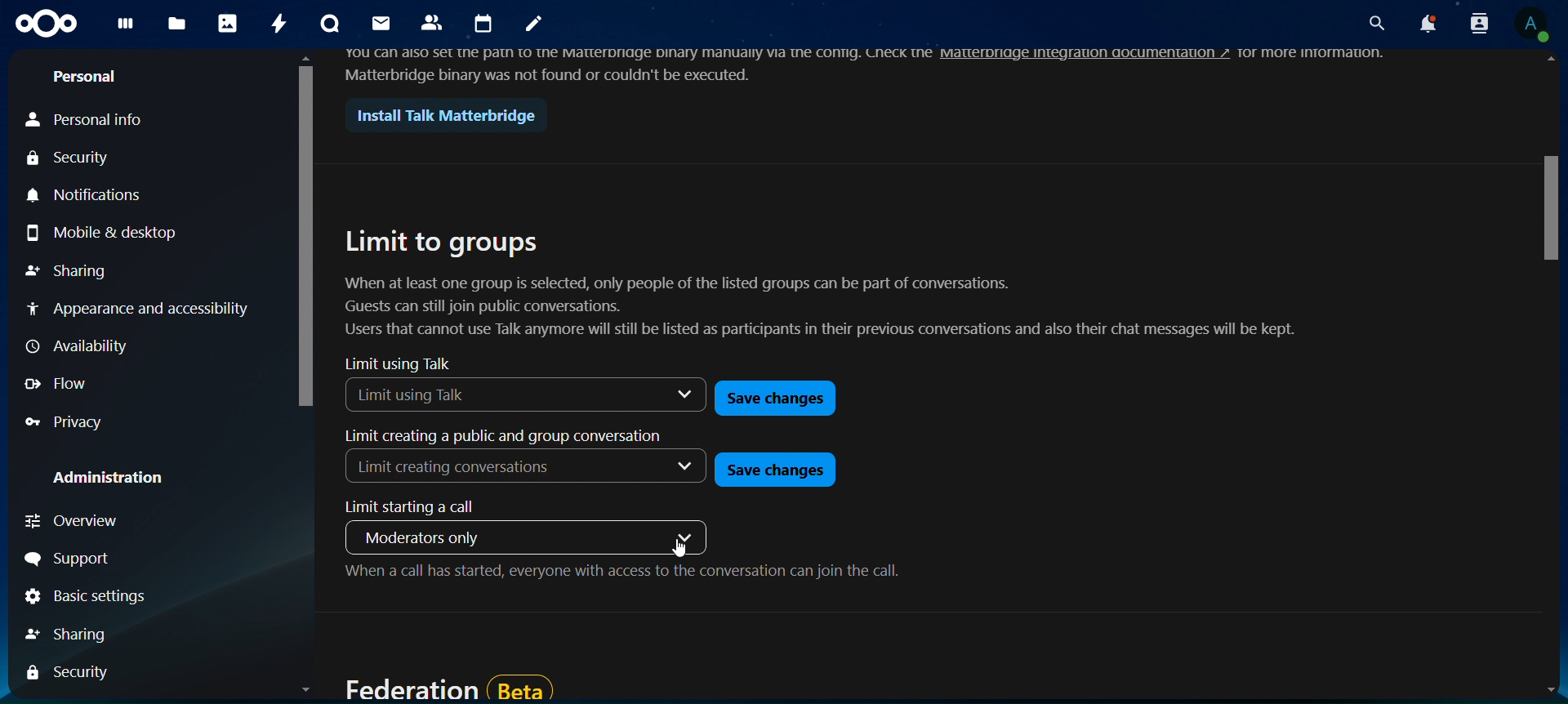  Describe the element at coordinates (71, 673) in the screenshot. I see `security` at that location.